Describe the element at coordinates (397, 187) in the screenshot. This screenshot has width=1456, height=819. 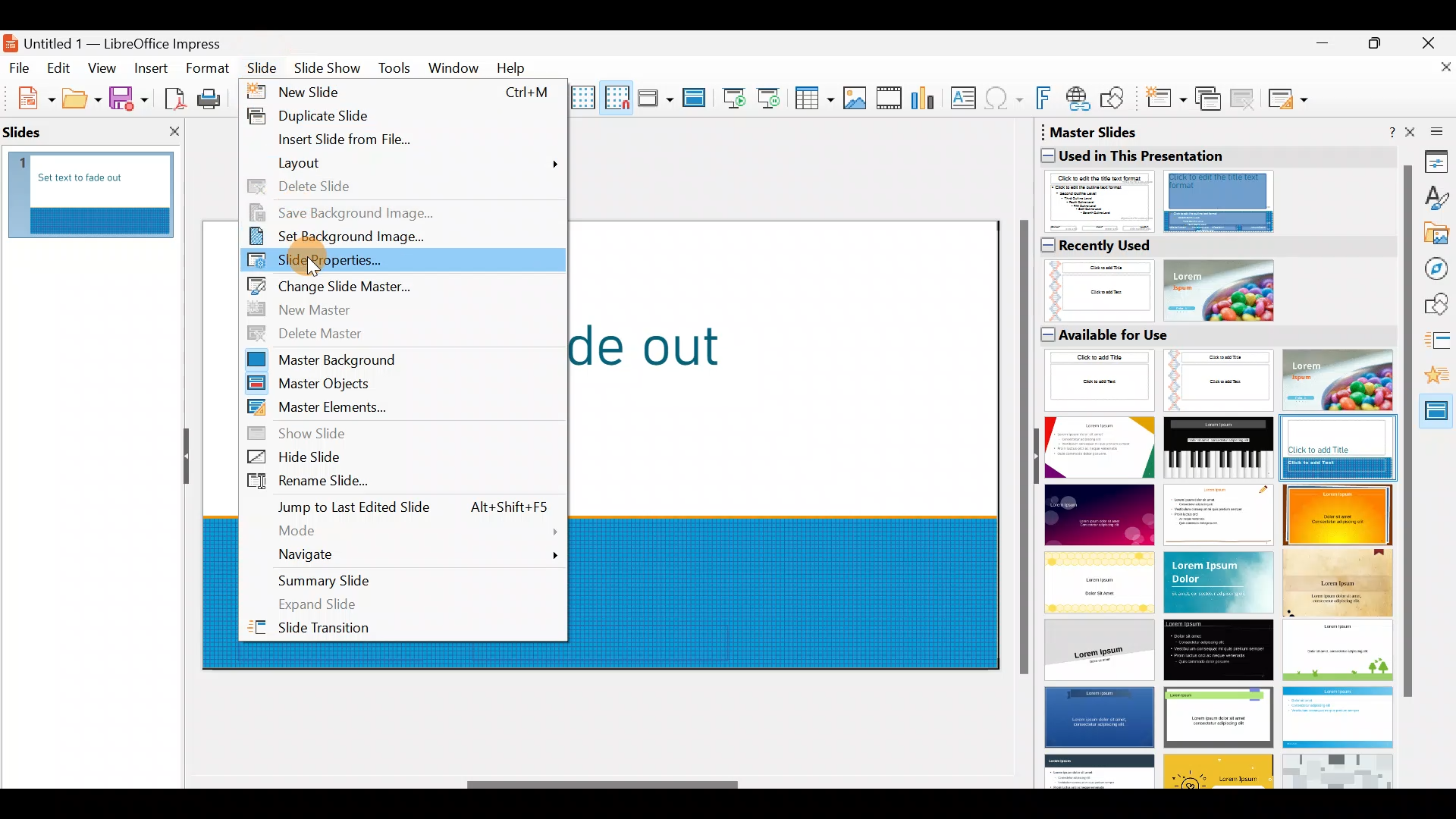
I see `Delete slide` at that location.